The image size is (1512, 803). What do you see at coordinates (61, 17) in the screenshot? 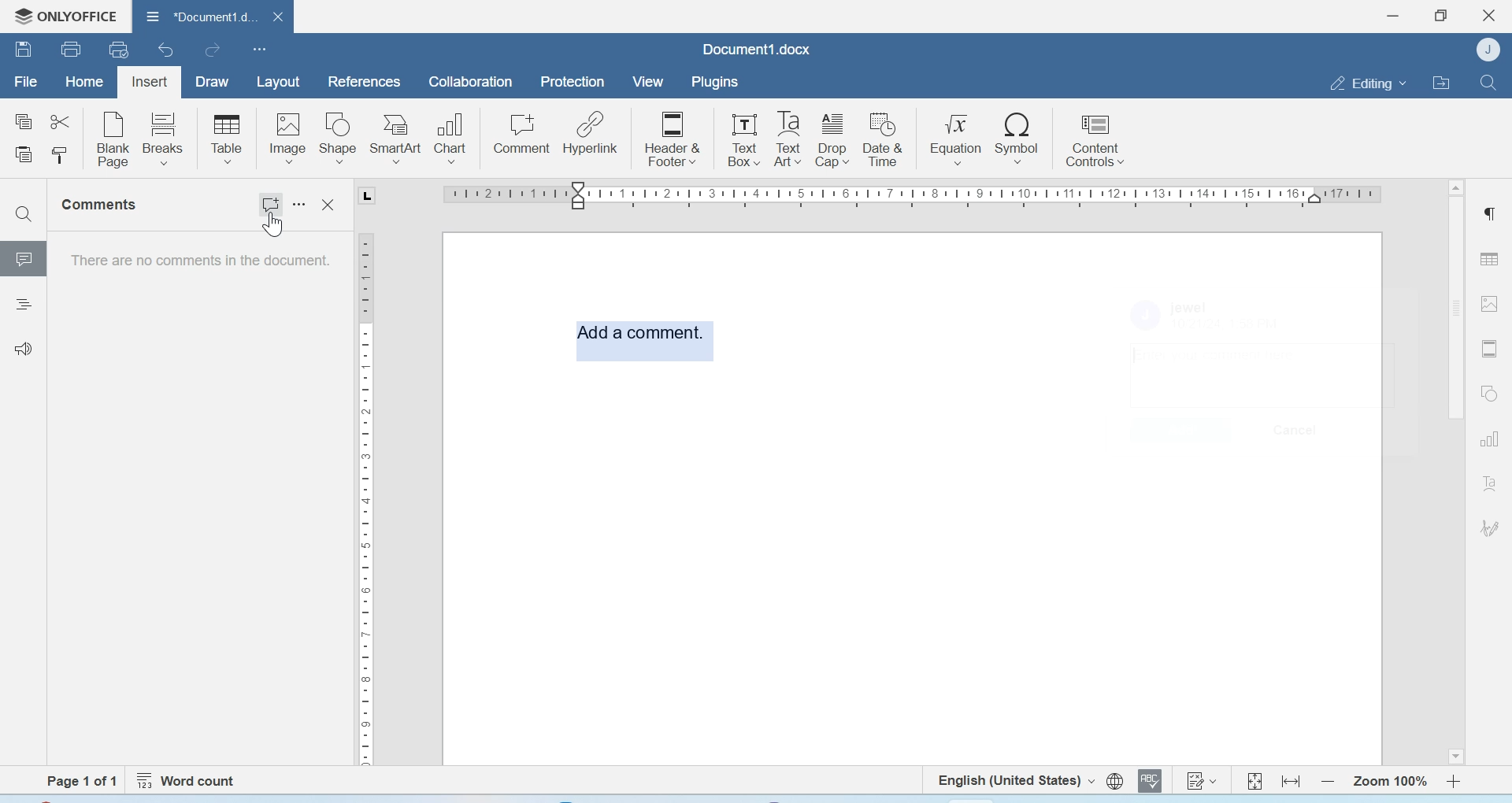
I see `Onlyoffice` at bounding box center [61, 17].